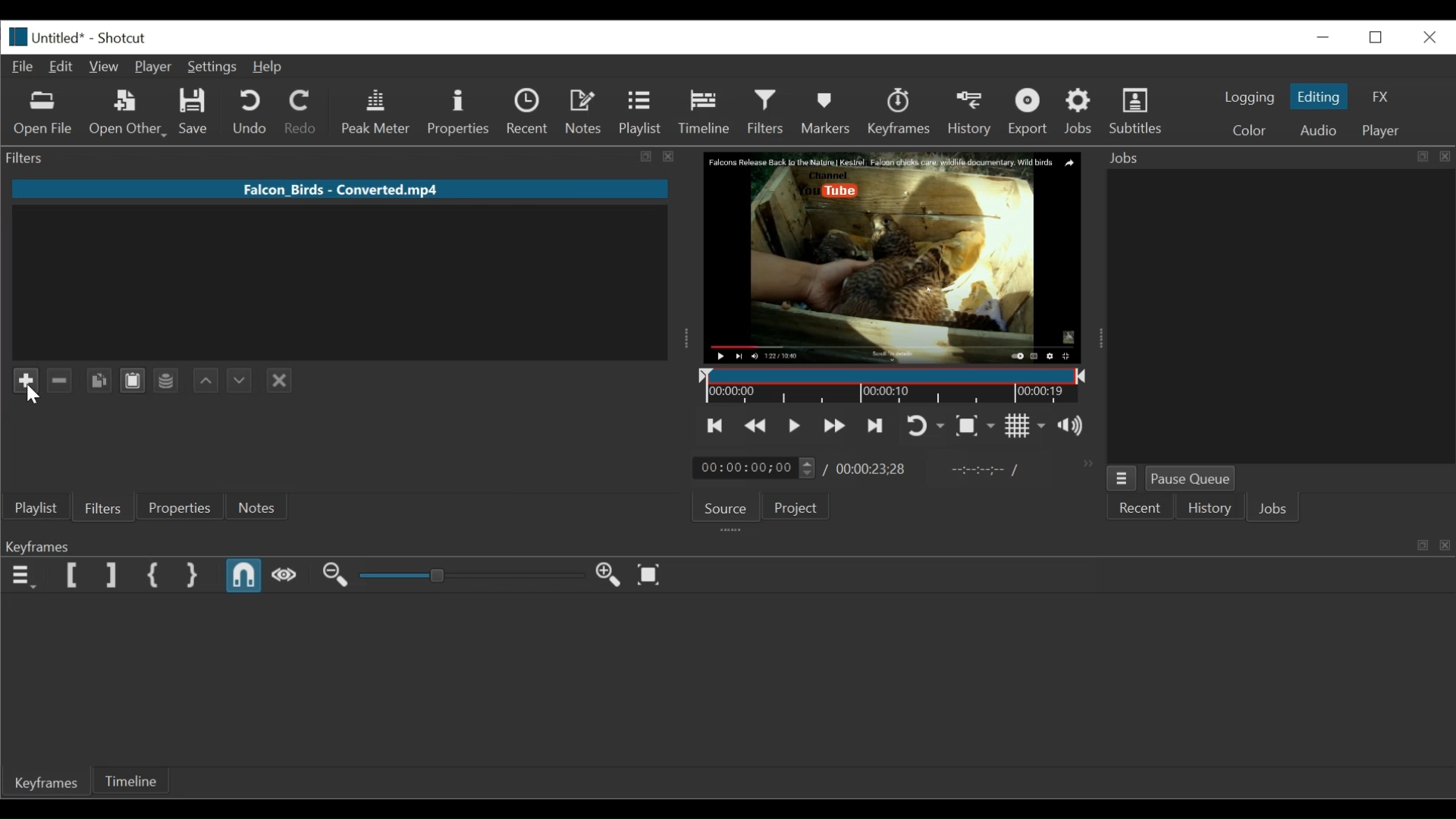 This screenshot has width=1456, height=819. I want to click on Paste filters, so click(133, 380).